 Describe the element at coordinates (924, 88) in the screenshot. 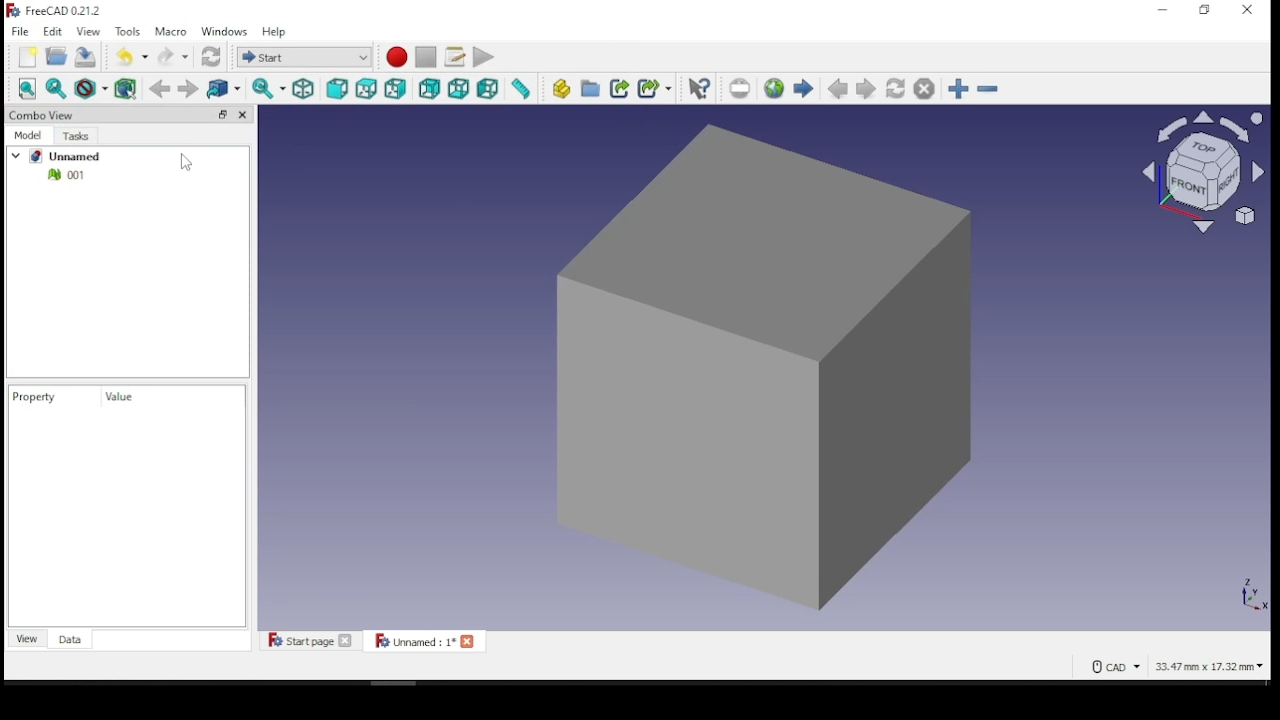

I see `stop loading` at that location.